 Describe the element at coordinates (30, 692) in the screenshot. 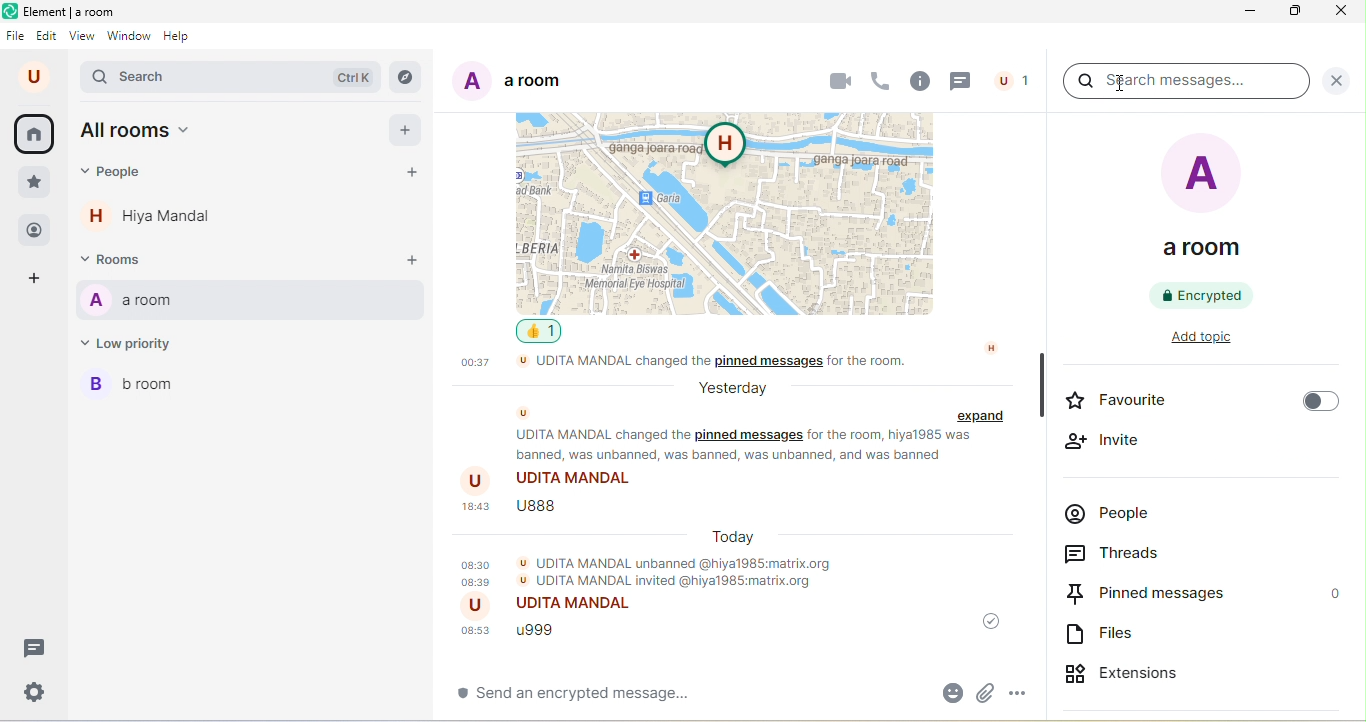

I see `quick settings` at that location.